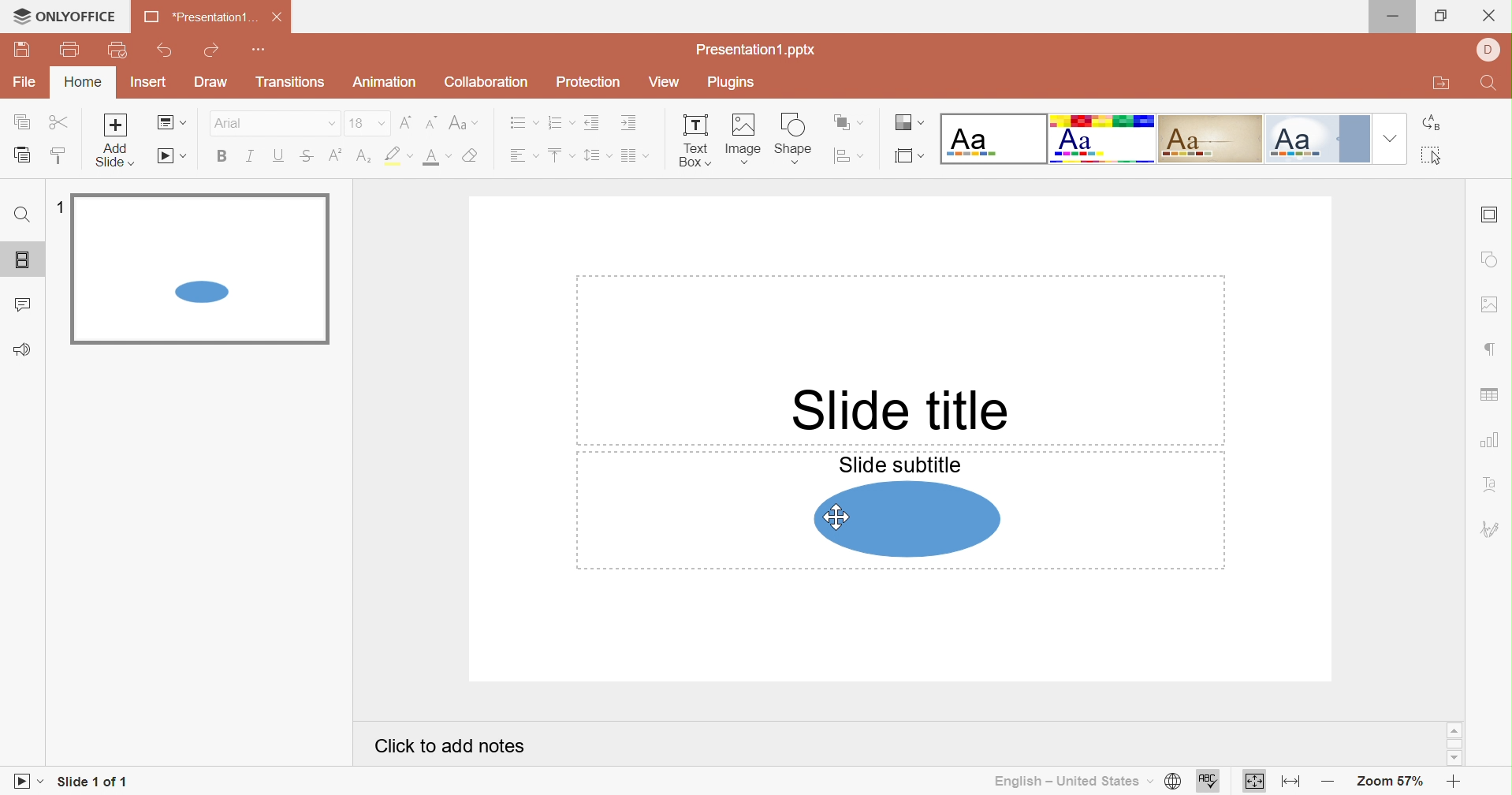 This screenshot has width=1512, height=795. What do you see at coordinates (590, 83) in the screenshot?
I see `Protection` at bounding box center [590, 83].